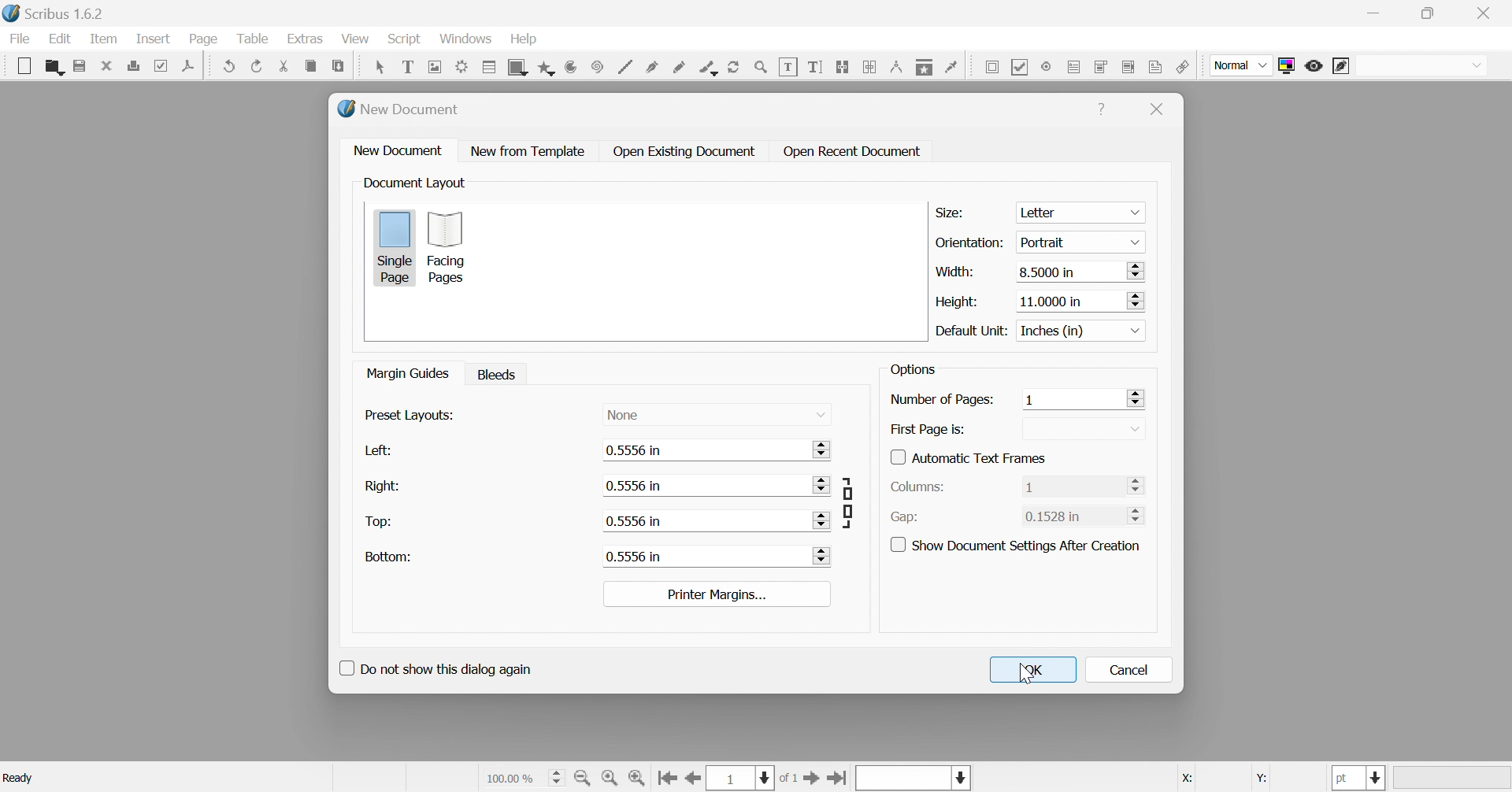  Describe the element at coordinates (991, 68) in the screenshot. I see `PDF push button` at that location.